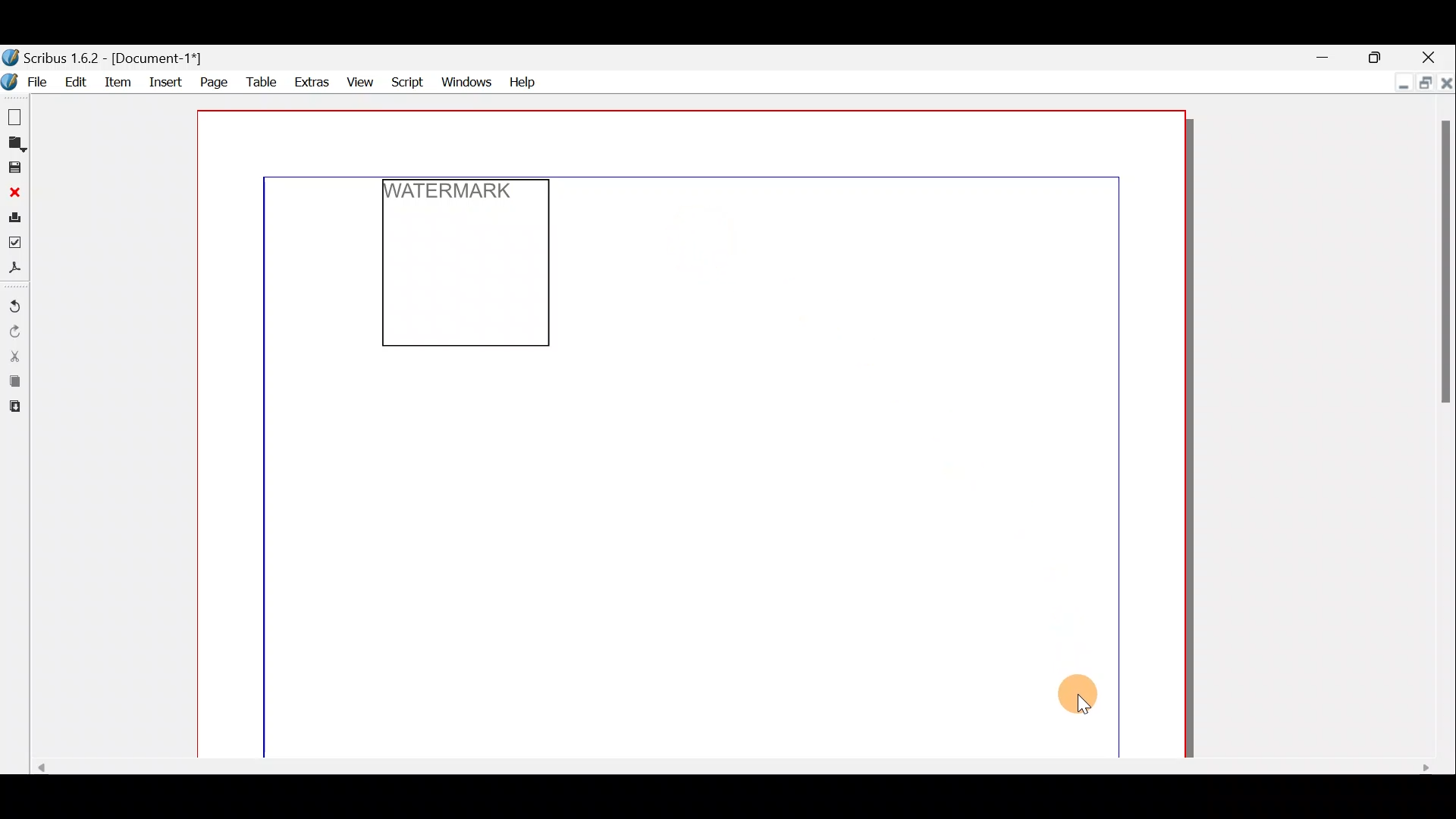  I want to click on New, so click(13, 115).